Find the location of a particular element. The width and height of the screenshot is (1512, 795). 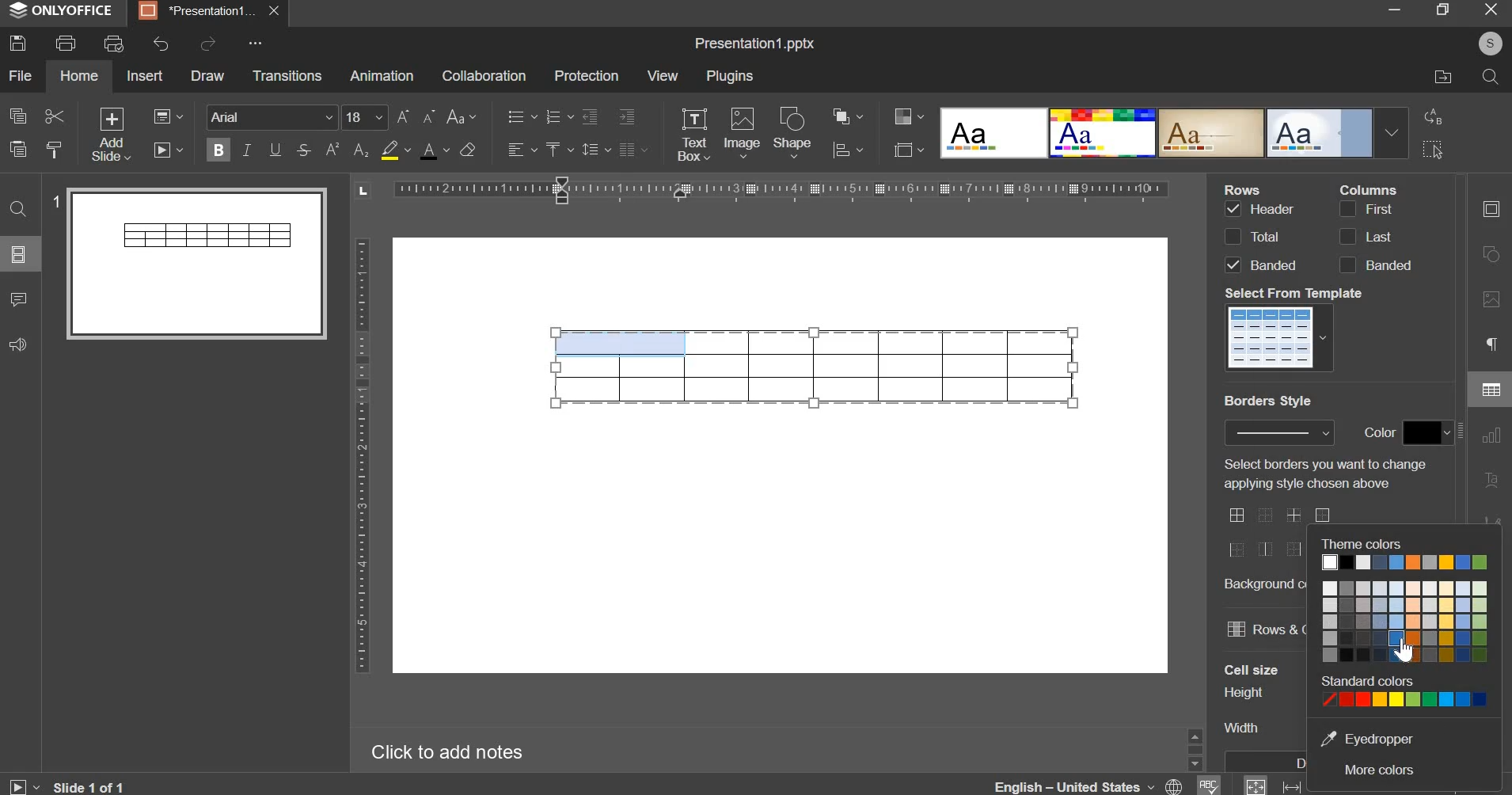

transitions is located at coordinates (287, 74).